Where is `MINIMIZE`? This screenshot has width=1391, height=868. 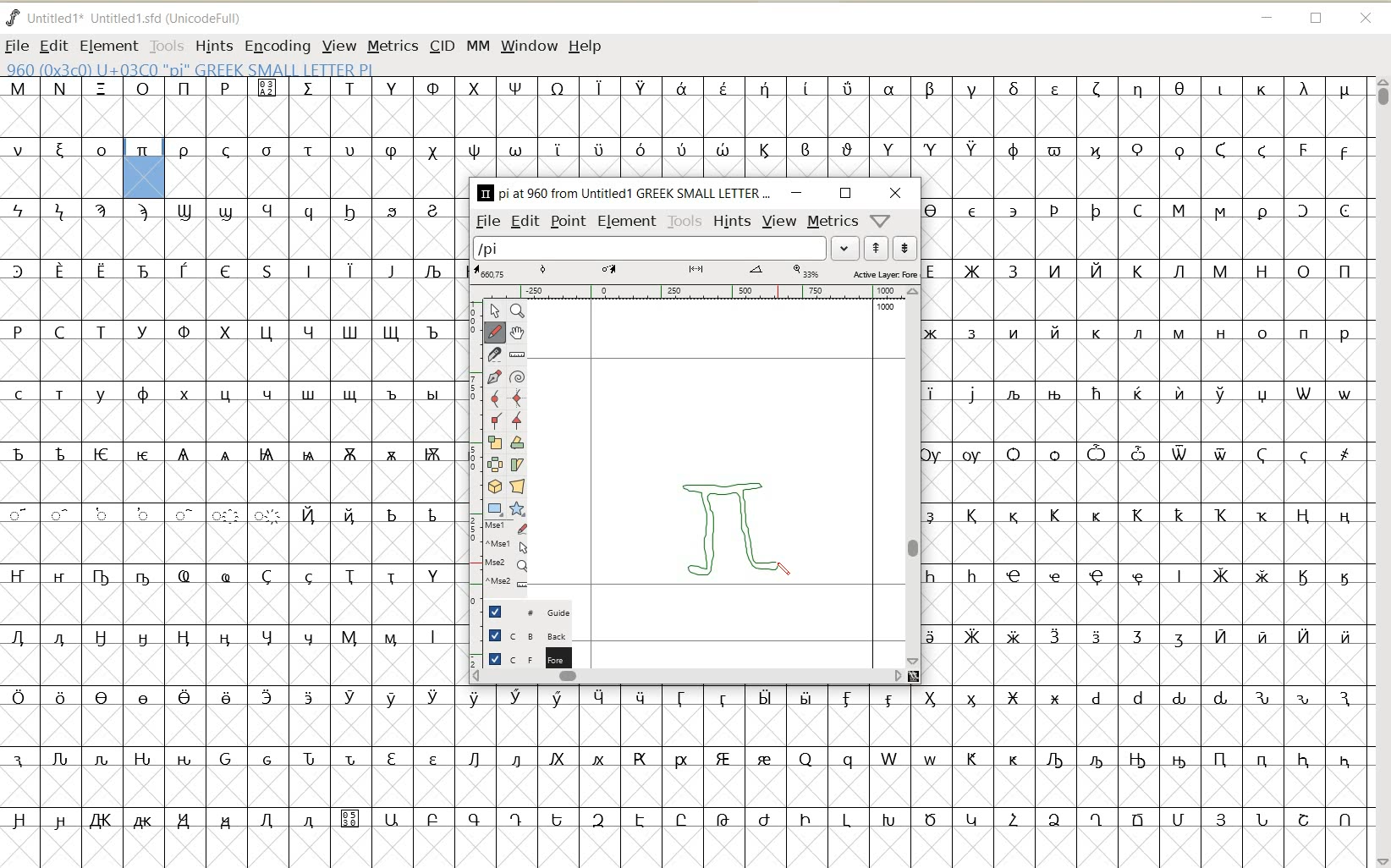
MINIMIZE is located at coordinates (795, 194).